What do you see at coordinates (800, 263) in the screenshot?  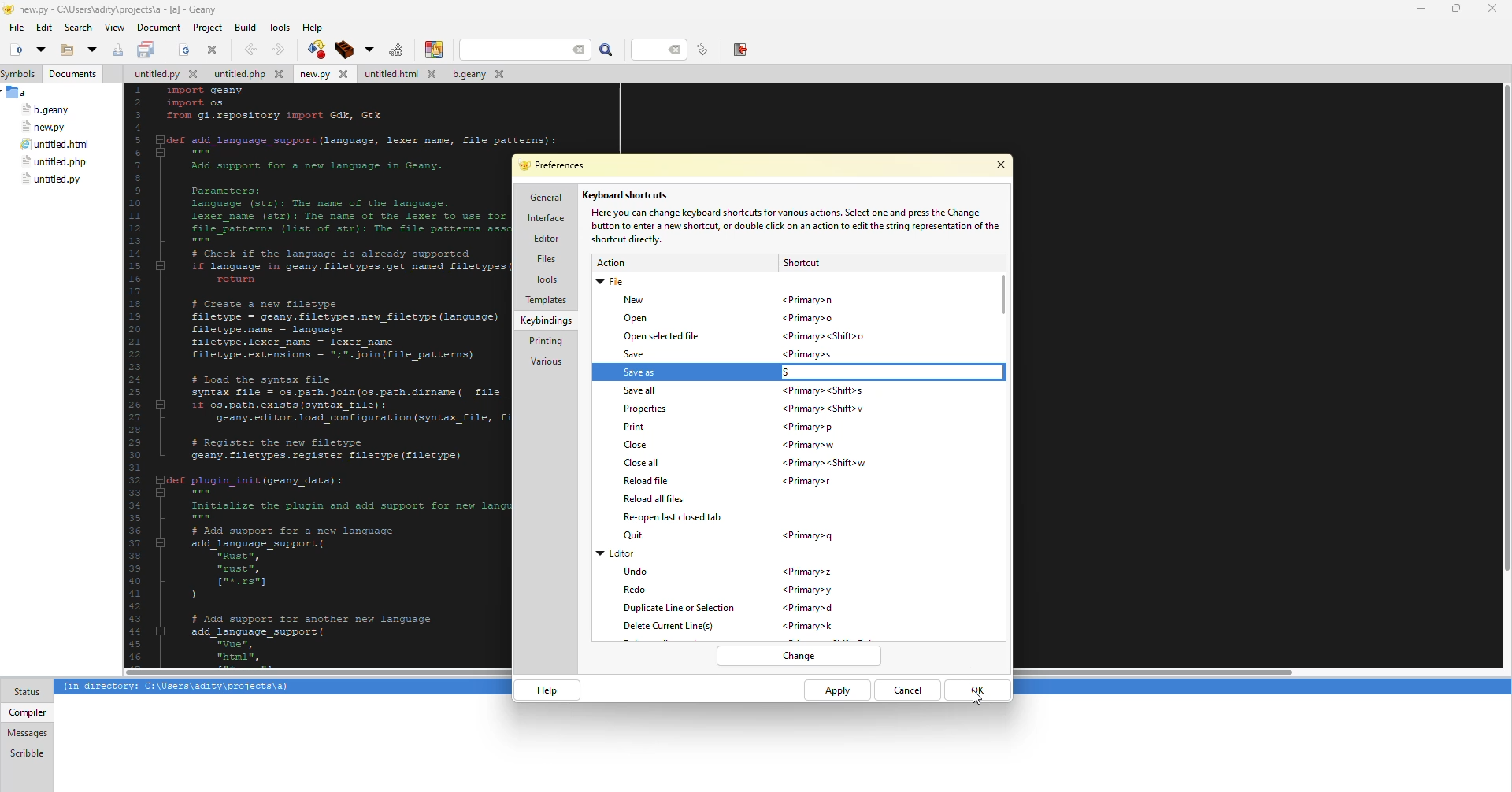 I see `shortcut` at bounding box center [800, 263].